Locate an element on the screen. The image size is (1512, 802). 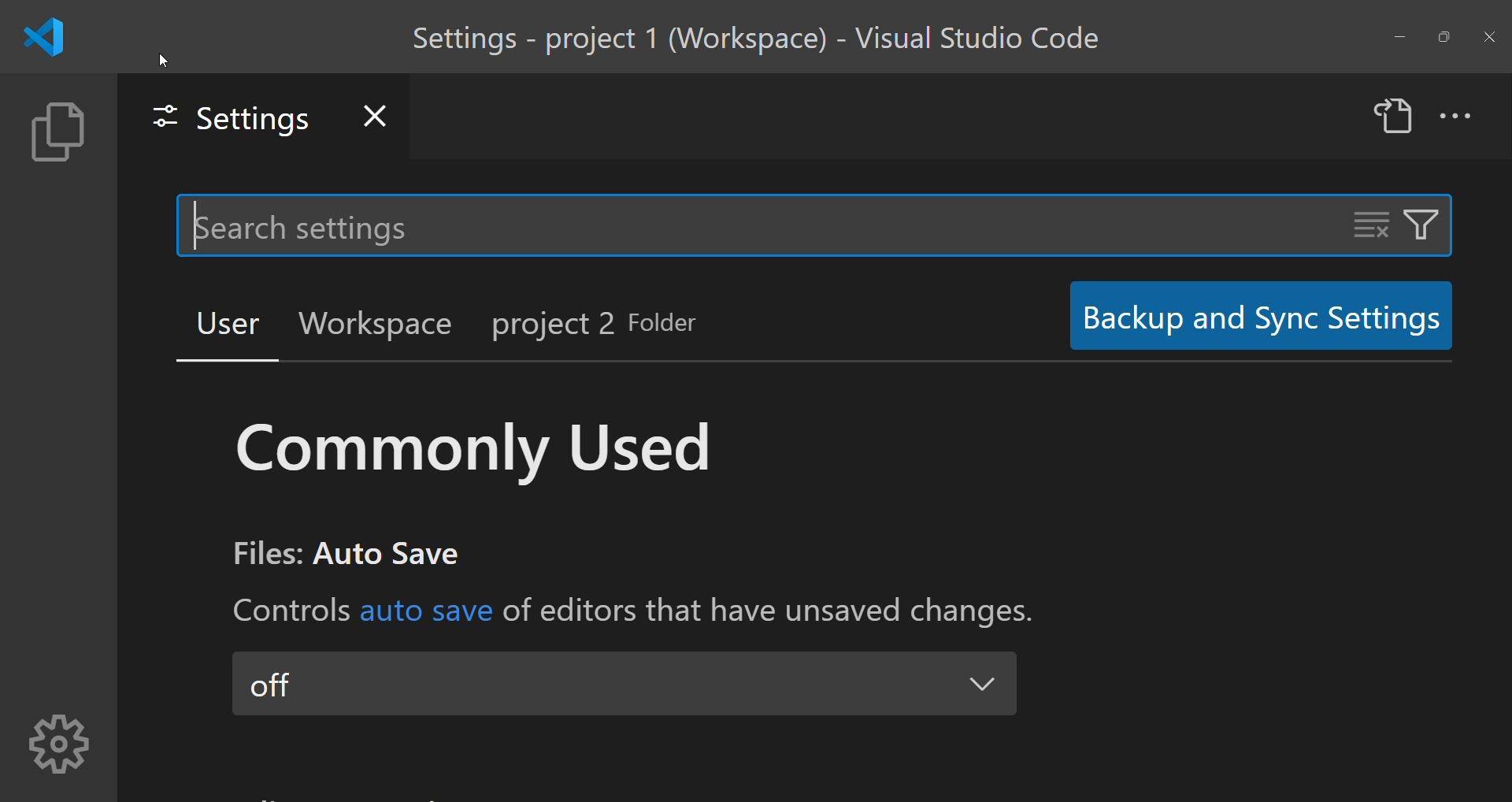
close is located at coordinates (1492, 39).